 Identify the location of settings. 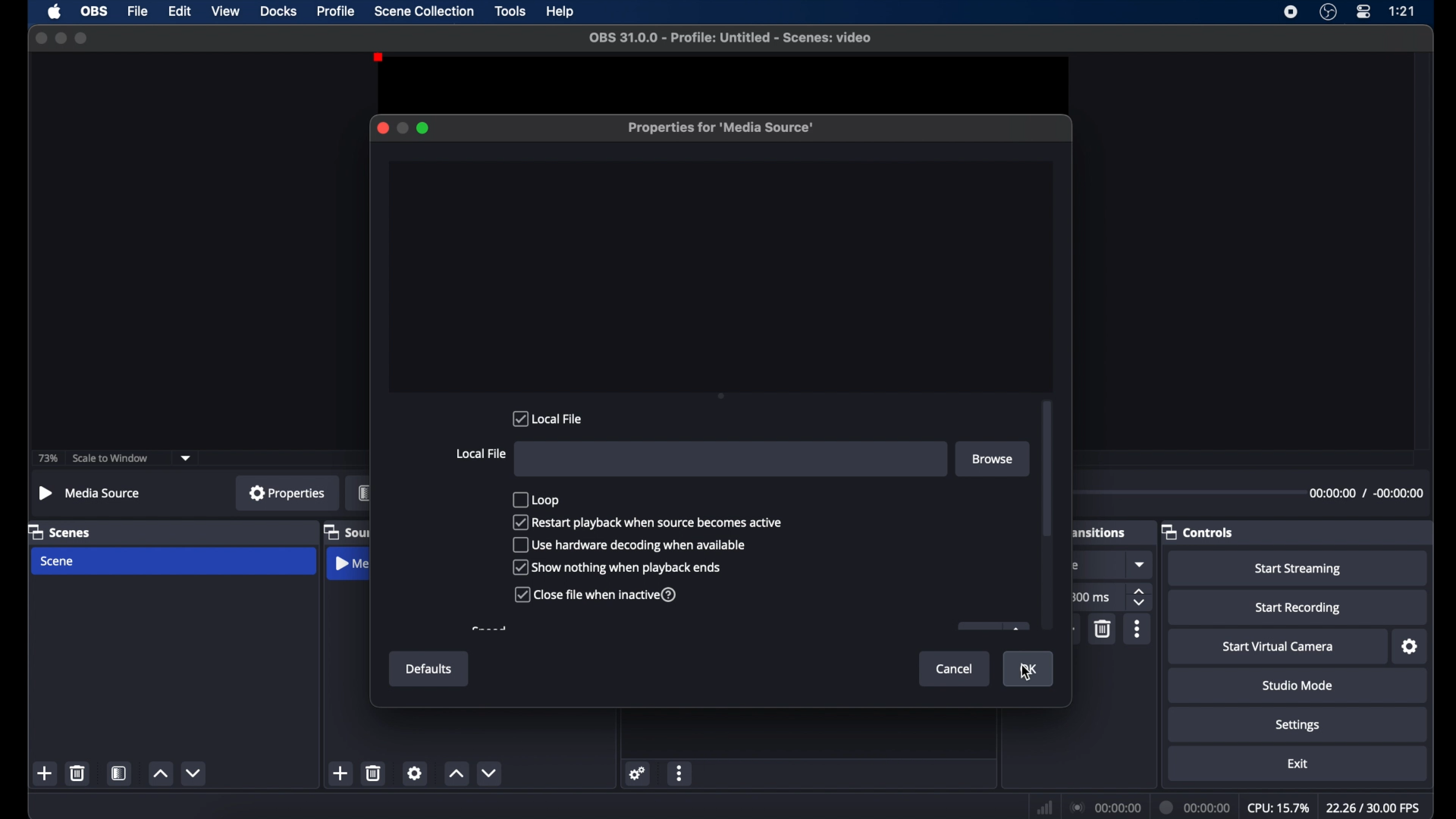
(414, 773).